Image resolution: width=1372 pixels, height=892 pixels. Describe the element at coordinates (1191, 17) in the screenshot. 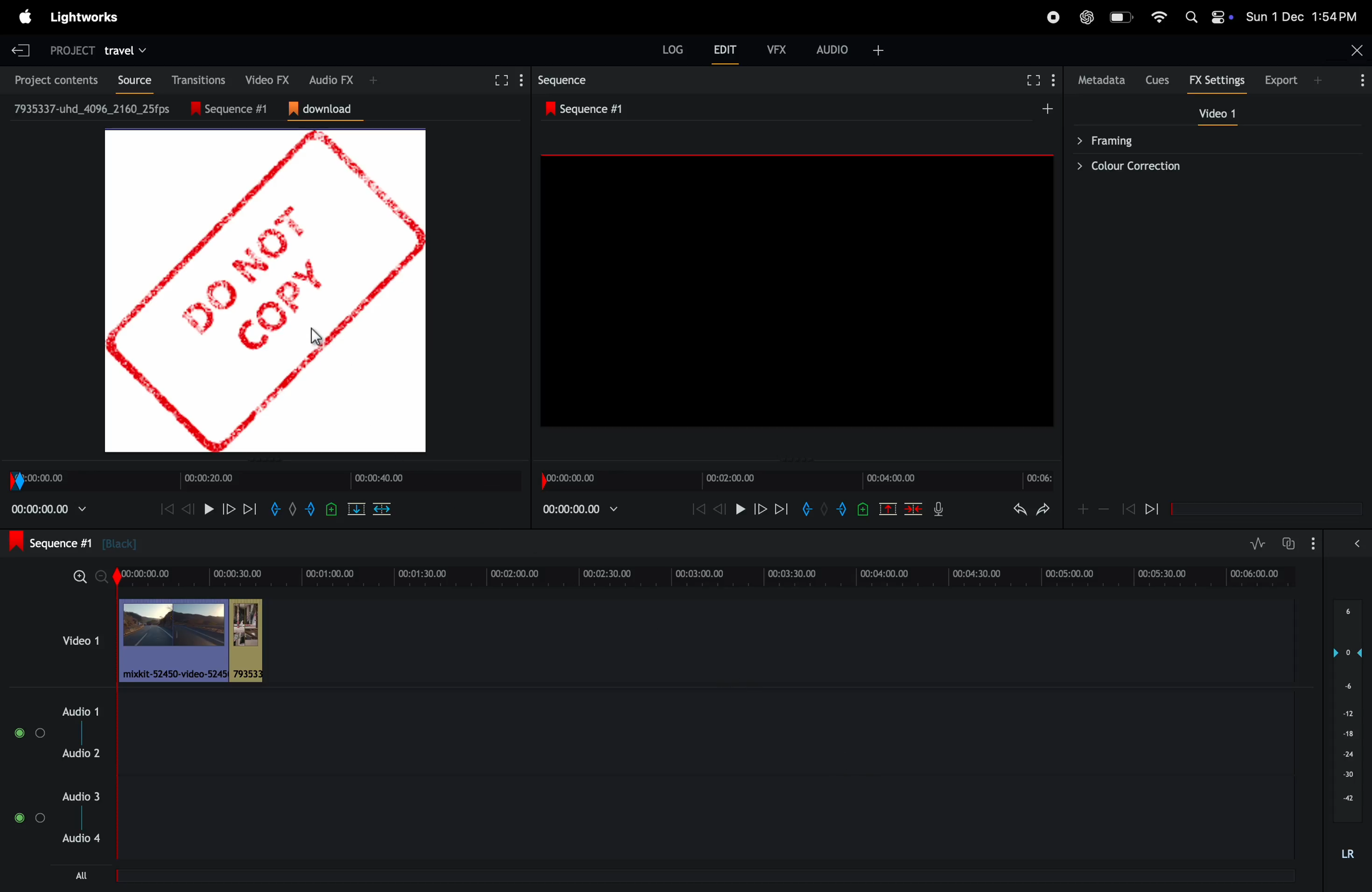

I see `Search` at that location.